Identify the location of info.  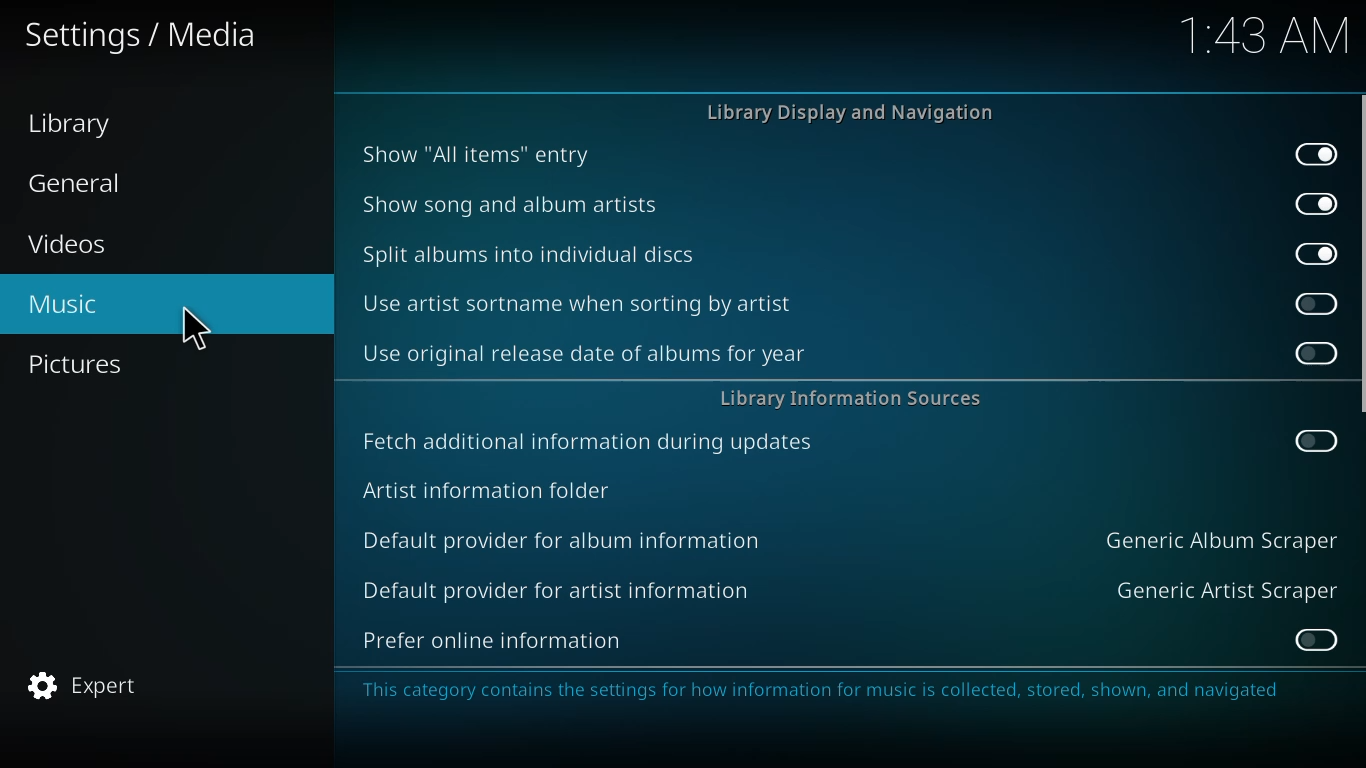
(826, 690).